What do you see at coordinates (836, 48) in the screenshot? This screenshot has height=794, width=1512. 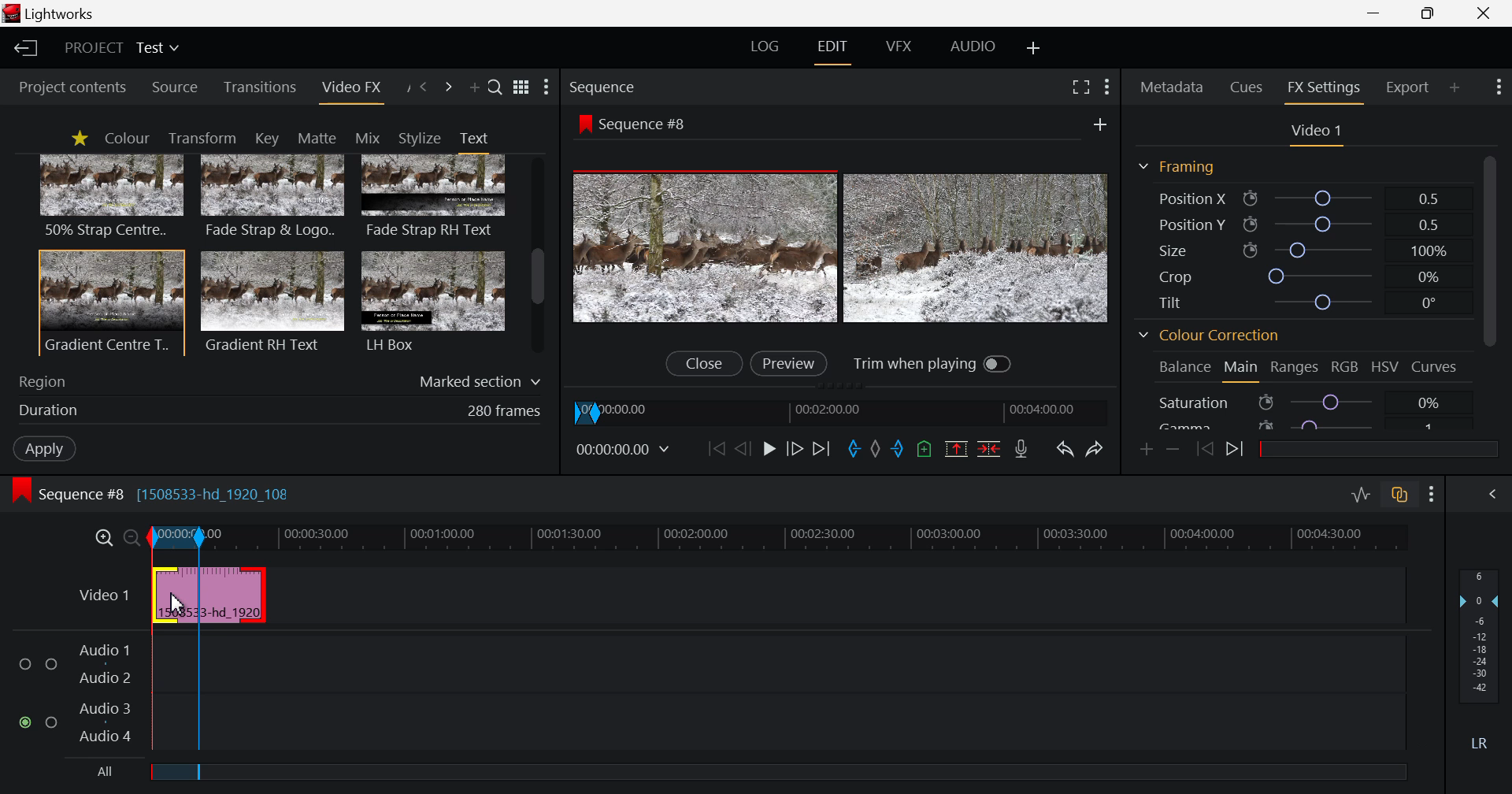 I see `EDIT Layout` at bounding box center [836, 48].